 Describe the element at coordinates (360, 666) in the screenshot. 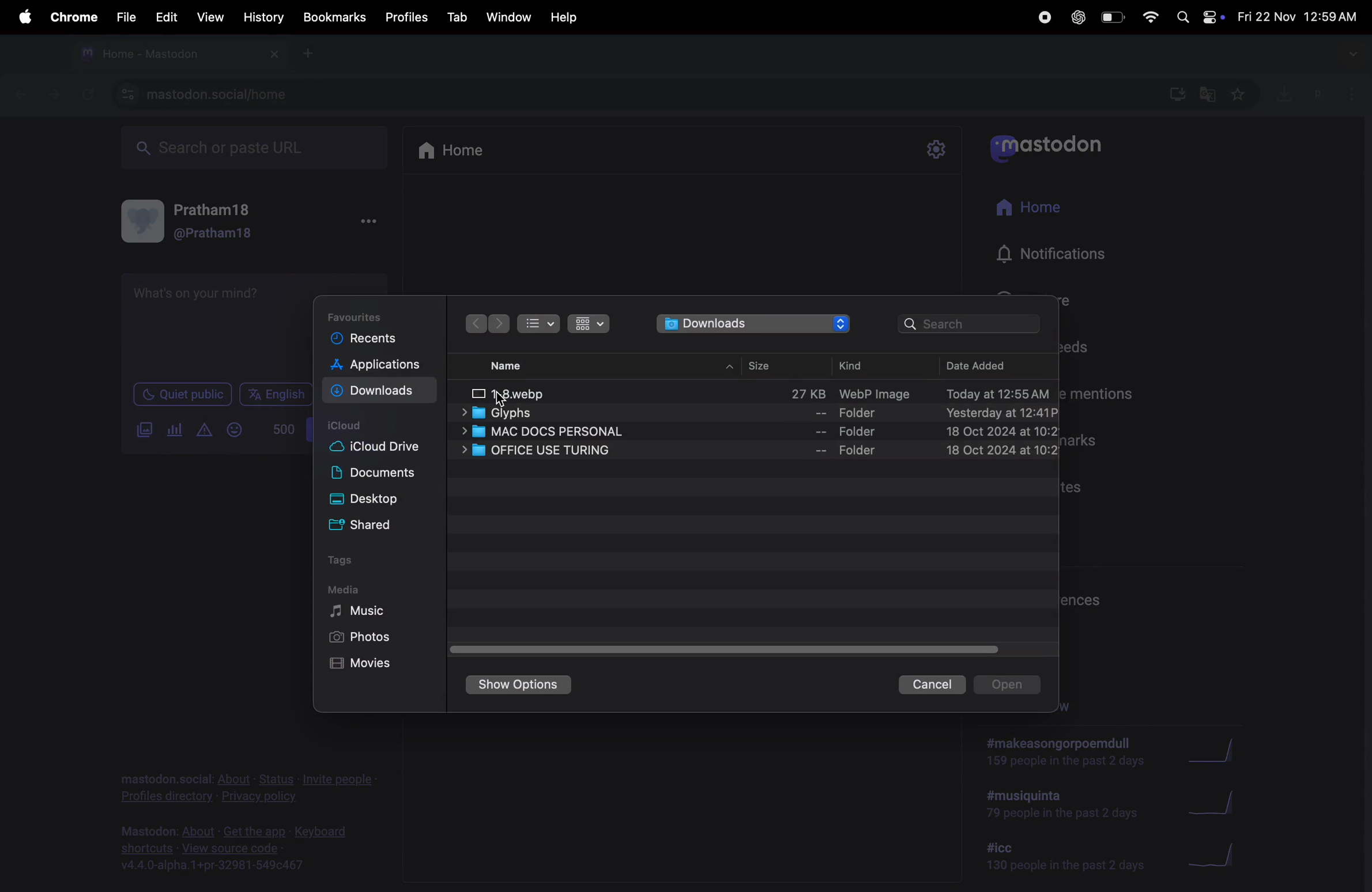

I see `movies` at that location.